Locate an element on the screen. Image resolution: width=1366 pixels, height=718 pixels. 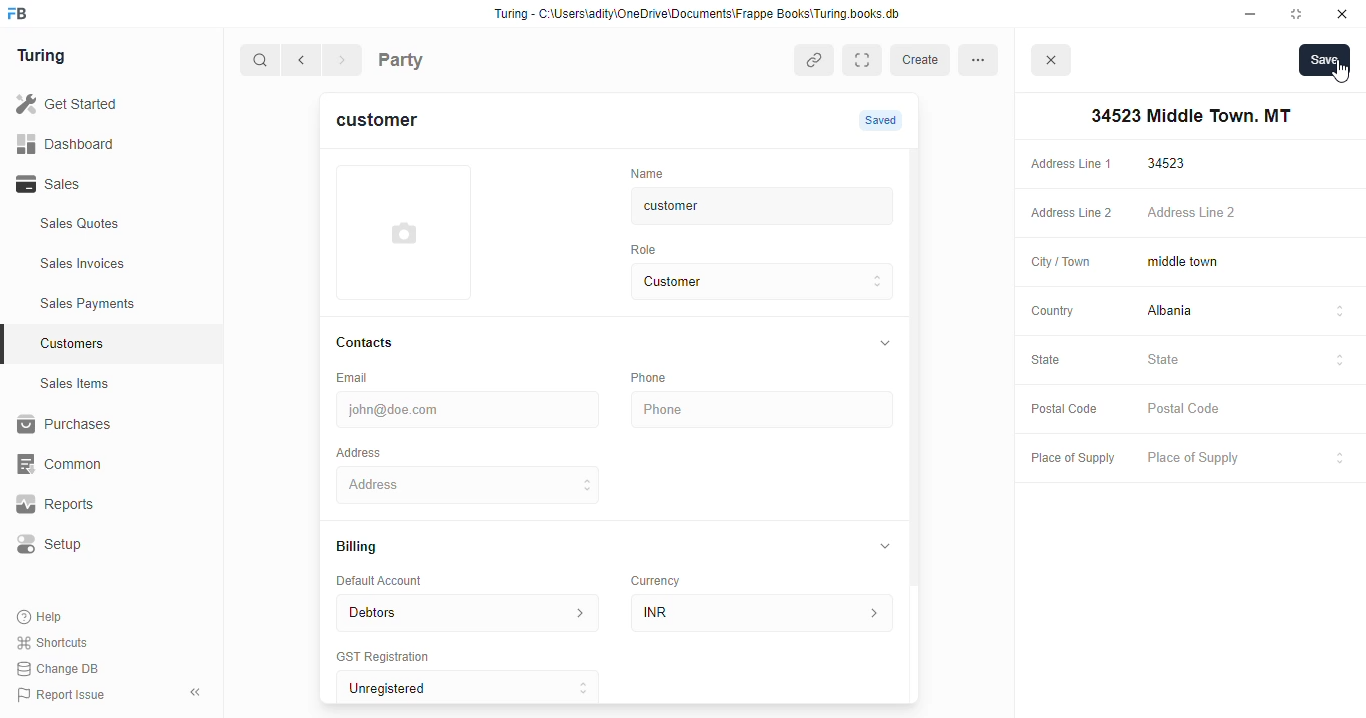
Address Line 2 is located at coordinates (1248, 214).